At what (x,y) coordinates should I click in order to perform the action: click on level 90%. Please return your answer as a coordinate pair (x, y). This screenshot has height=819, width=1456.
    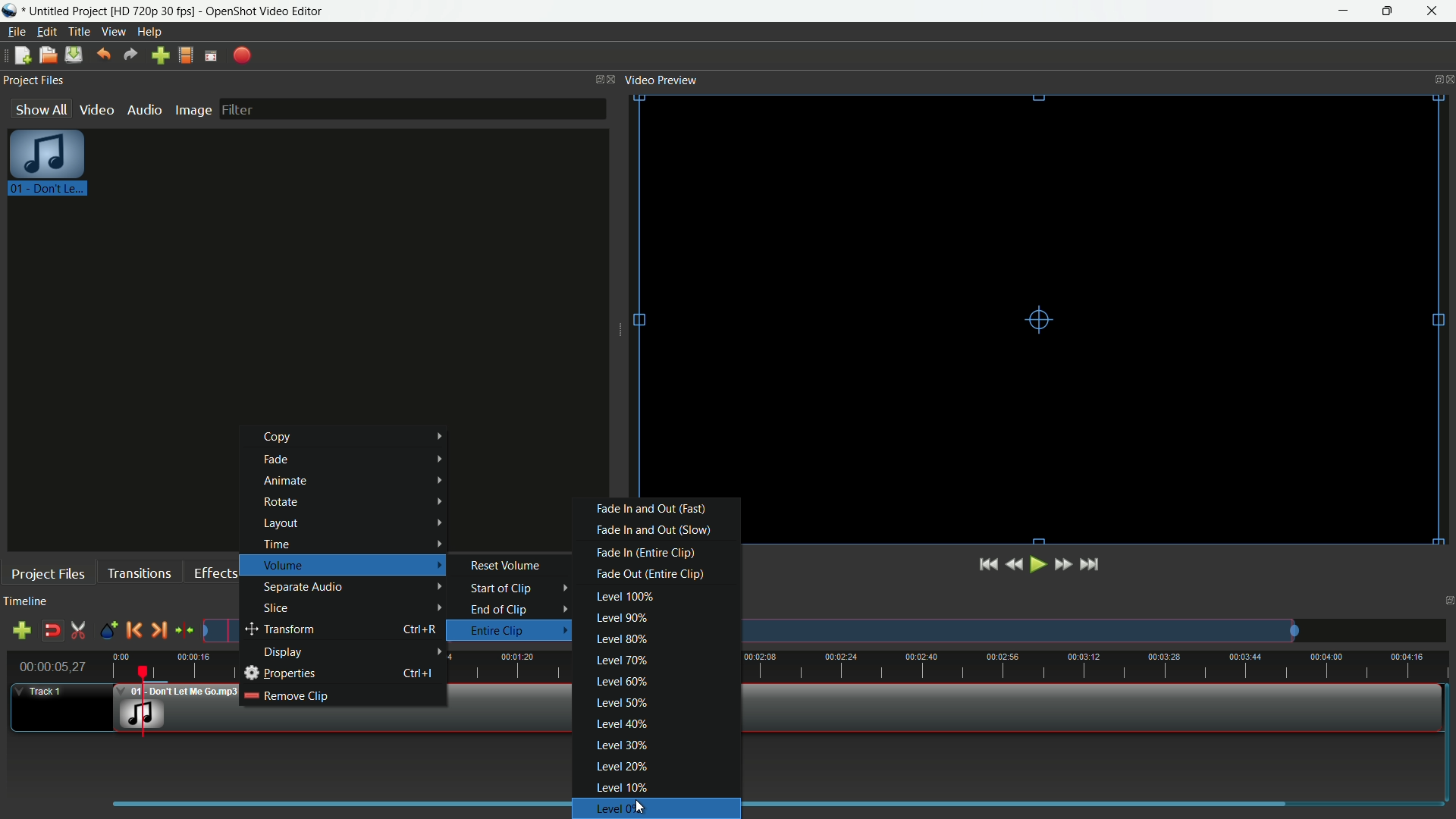
    Looking at the image, I should click on (620, 617).